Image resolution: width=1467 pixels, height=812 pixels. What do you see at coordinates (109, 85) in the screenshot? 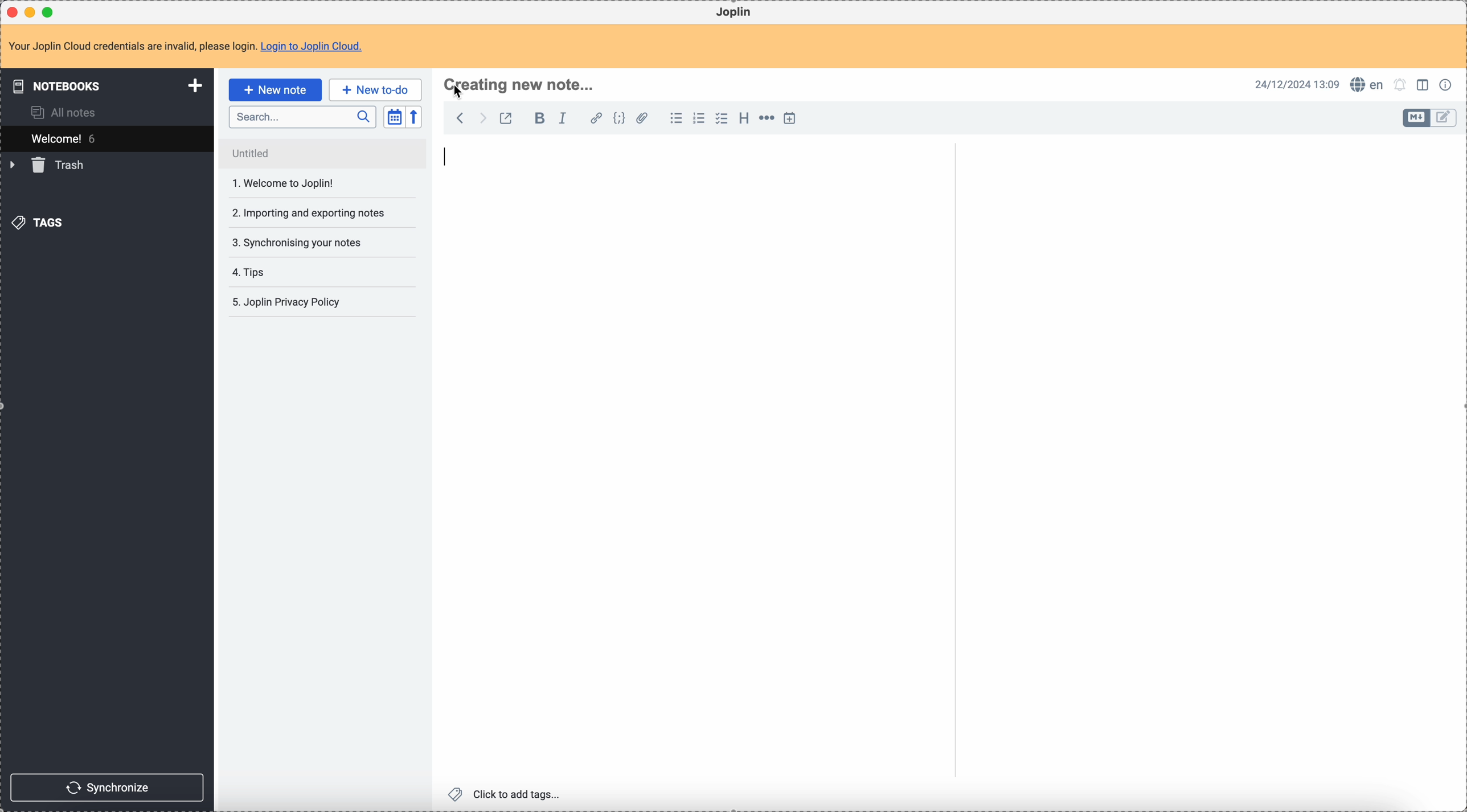
I see `notebooks` at bounding box center [109, 85].